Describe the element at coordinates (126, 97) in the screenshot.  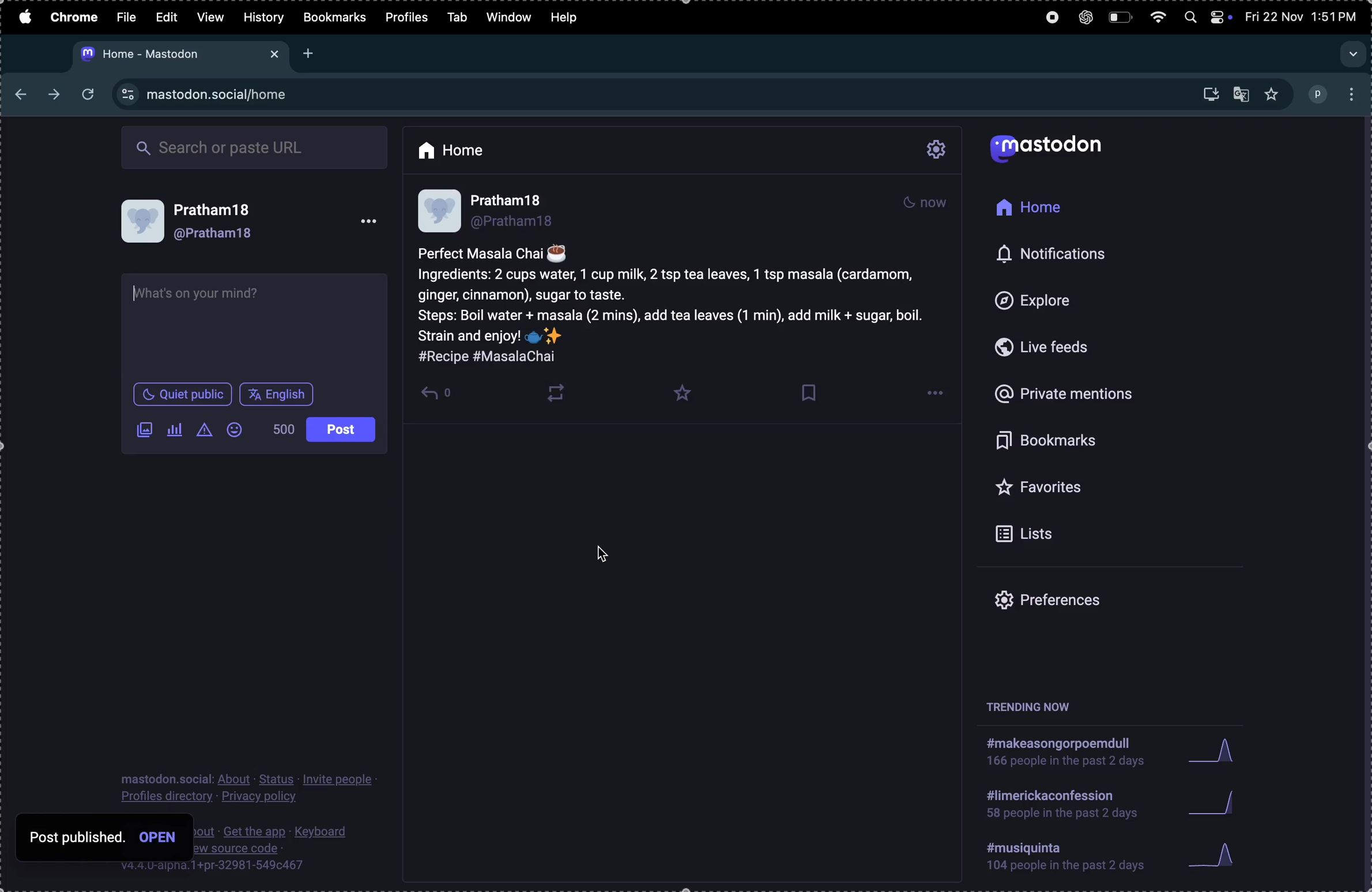
I see `view site information` at that location.